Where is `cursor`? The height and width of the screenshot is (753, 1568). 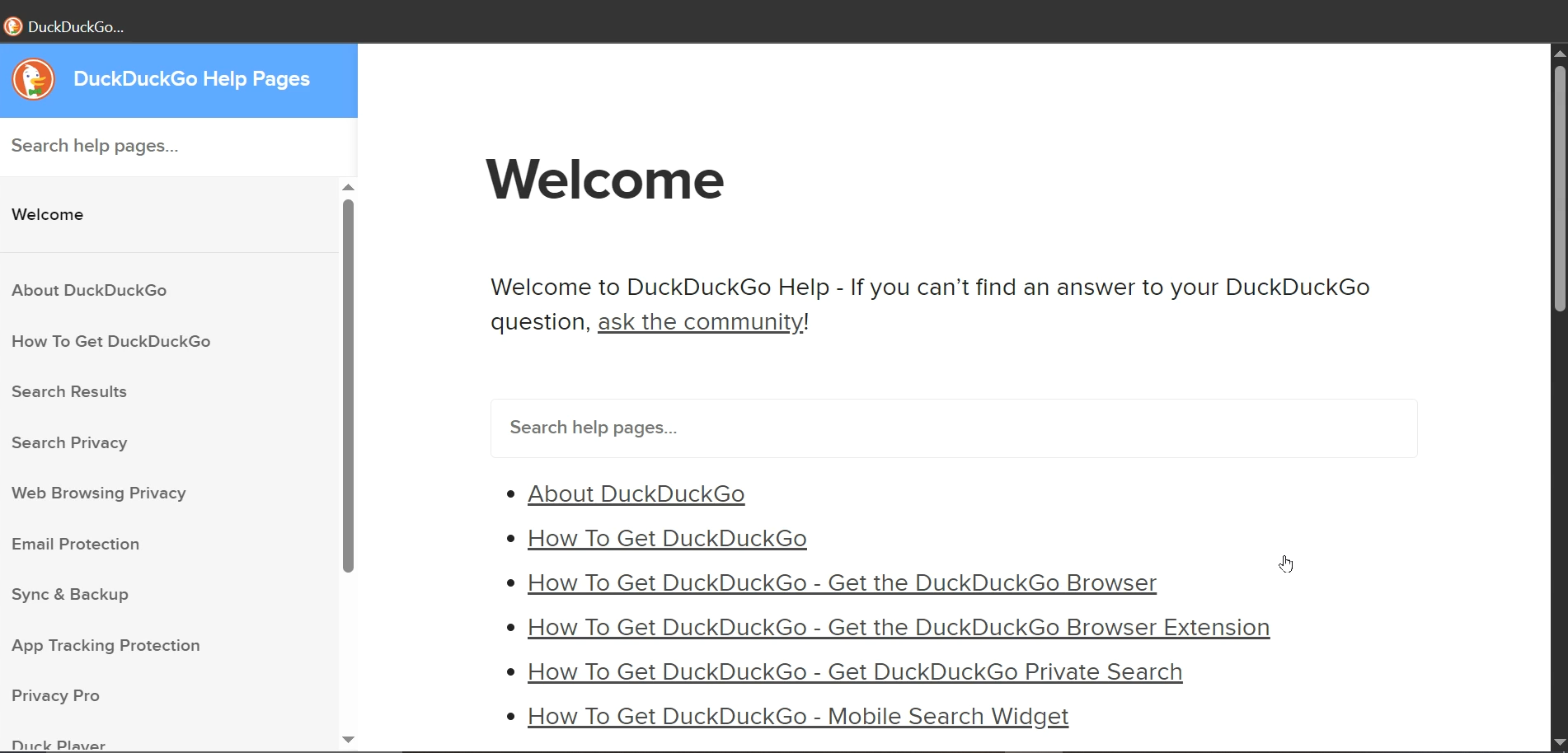
cursor is located at coordinates (1279, 562).